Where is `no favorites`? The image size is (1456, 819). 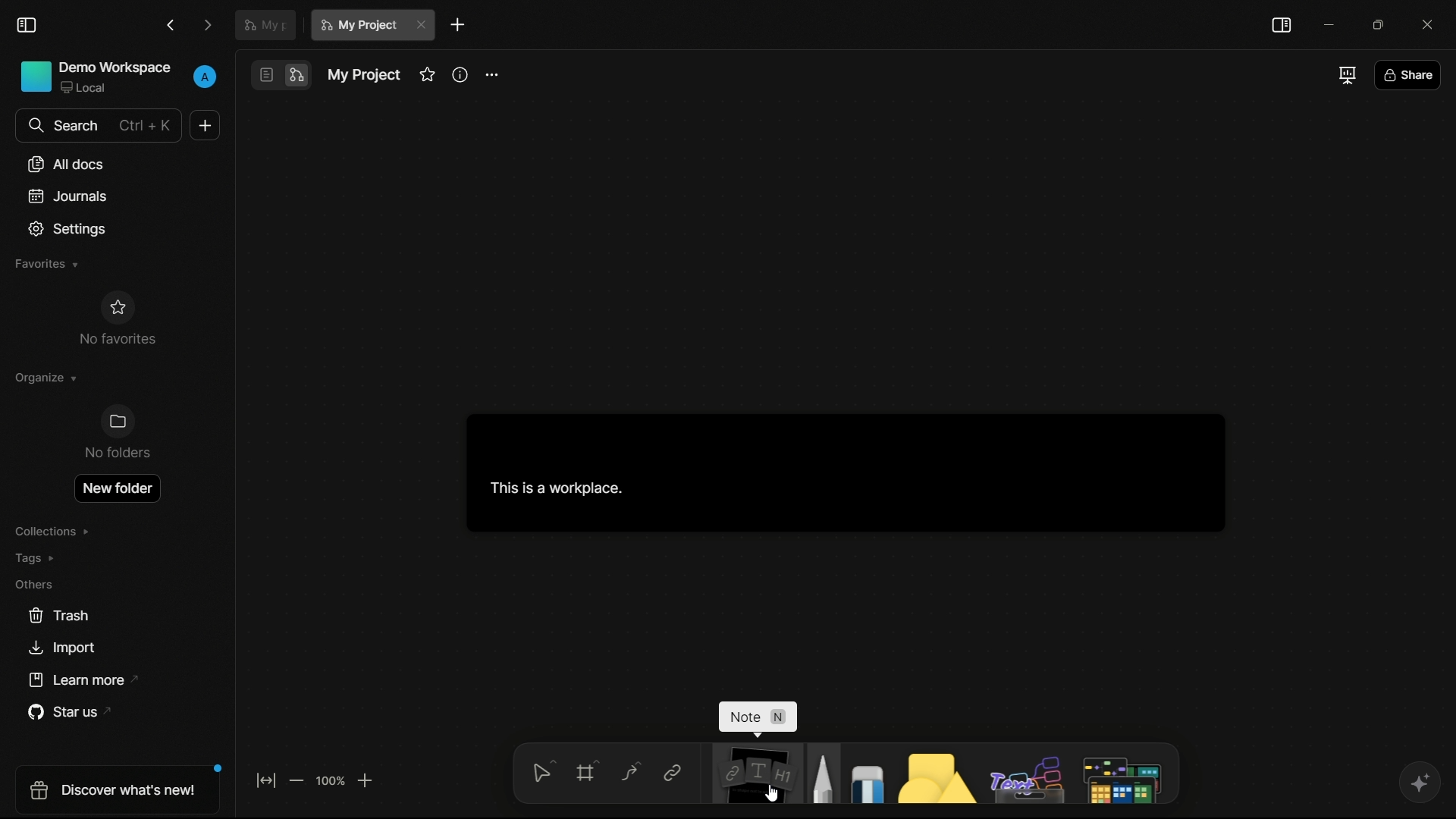 no favorites is located at coordinates (117, 319).